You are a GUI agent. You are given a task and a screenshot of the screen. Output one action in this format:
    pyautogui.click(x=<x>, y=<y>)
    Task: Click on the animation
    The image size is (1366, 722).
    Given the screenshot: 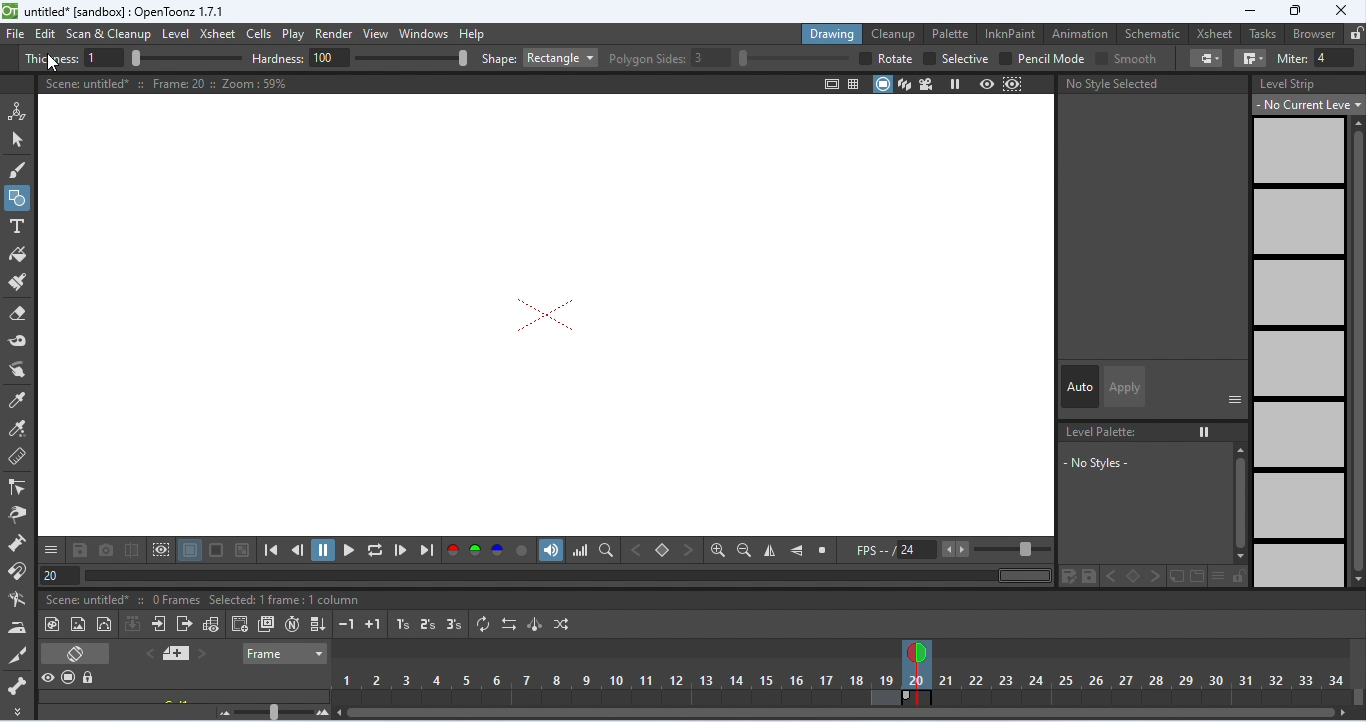 What is the action you would take?
    pyautogui.click(x=1079, y=34)
    